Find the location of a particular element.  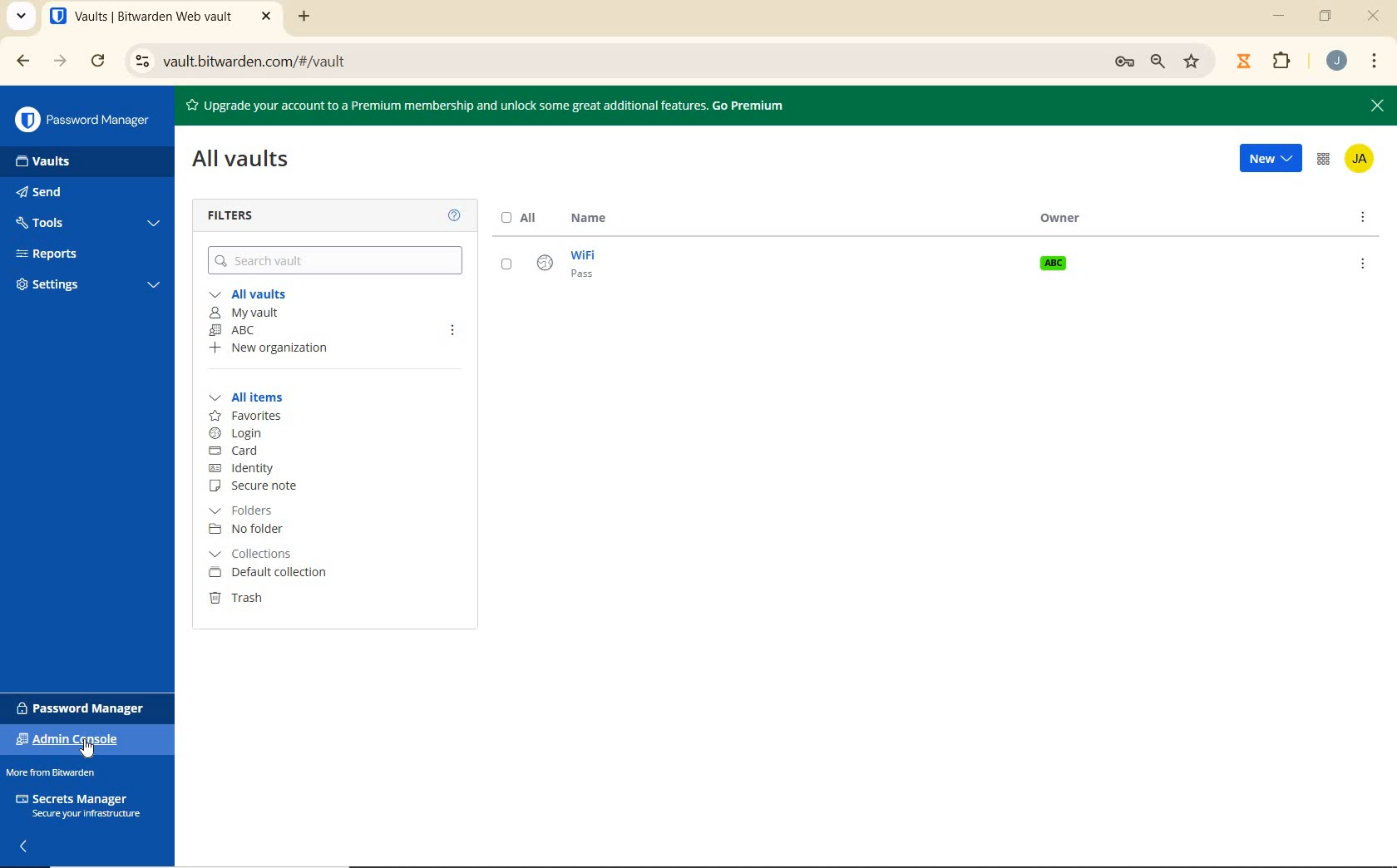

LOGIN NAME is located at coordinates (553, 266).